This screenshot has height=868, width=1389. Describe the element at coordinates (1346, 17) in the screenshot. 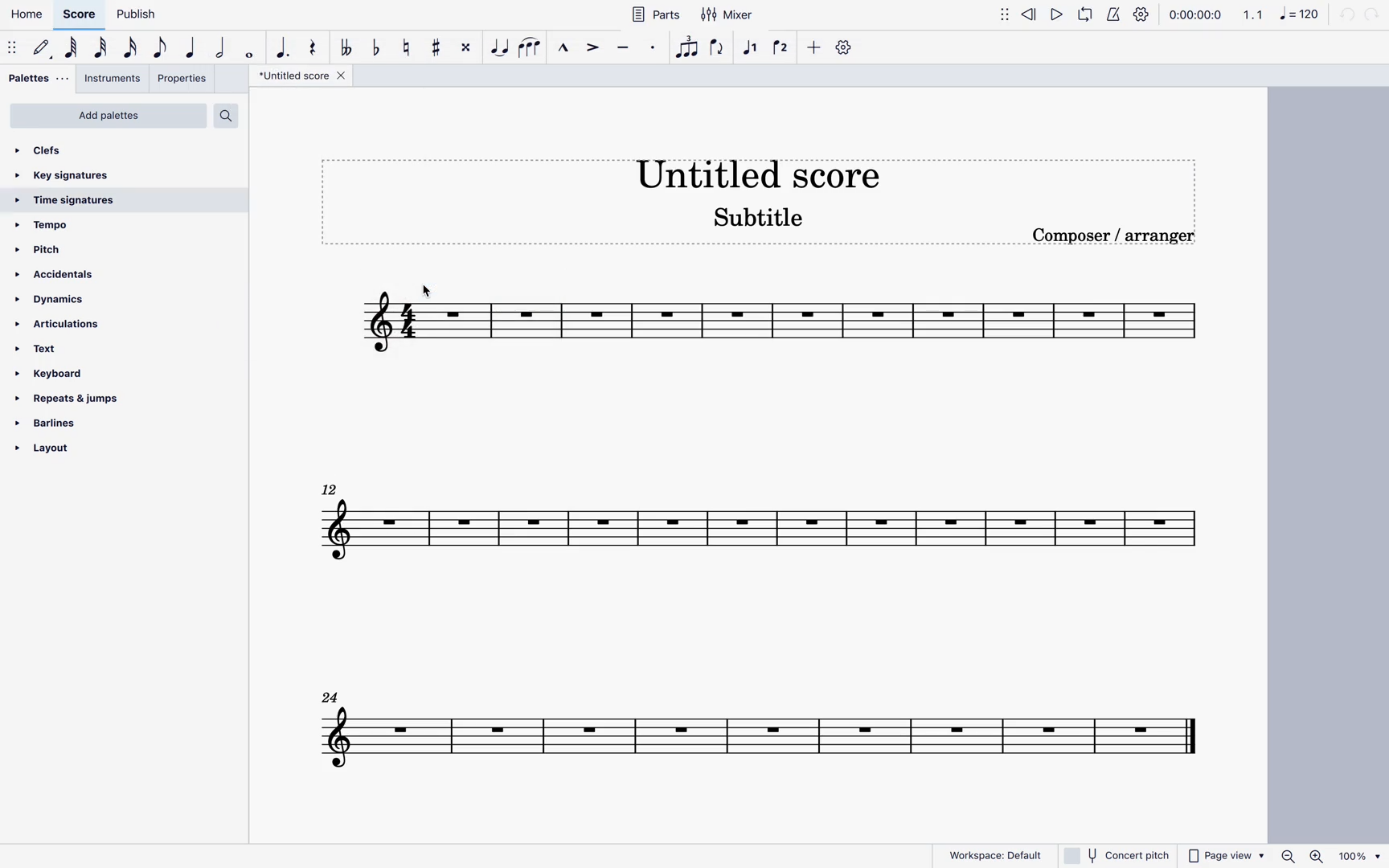

I see `undo` at that location.